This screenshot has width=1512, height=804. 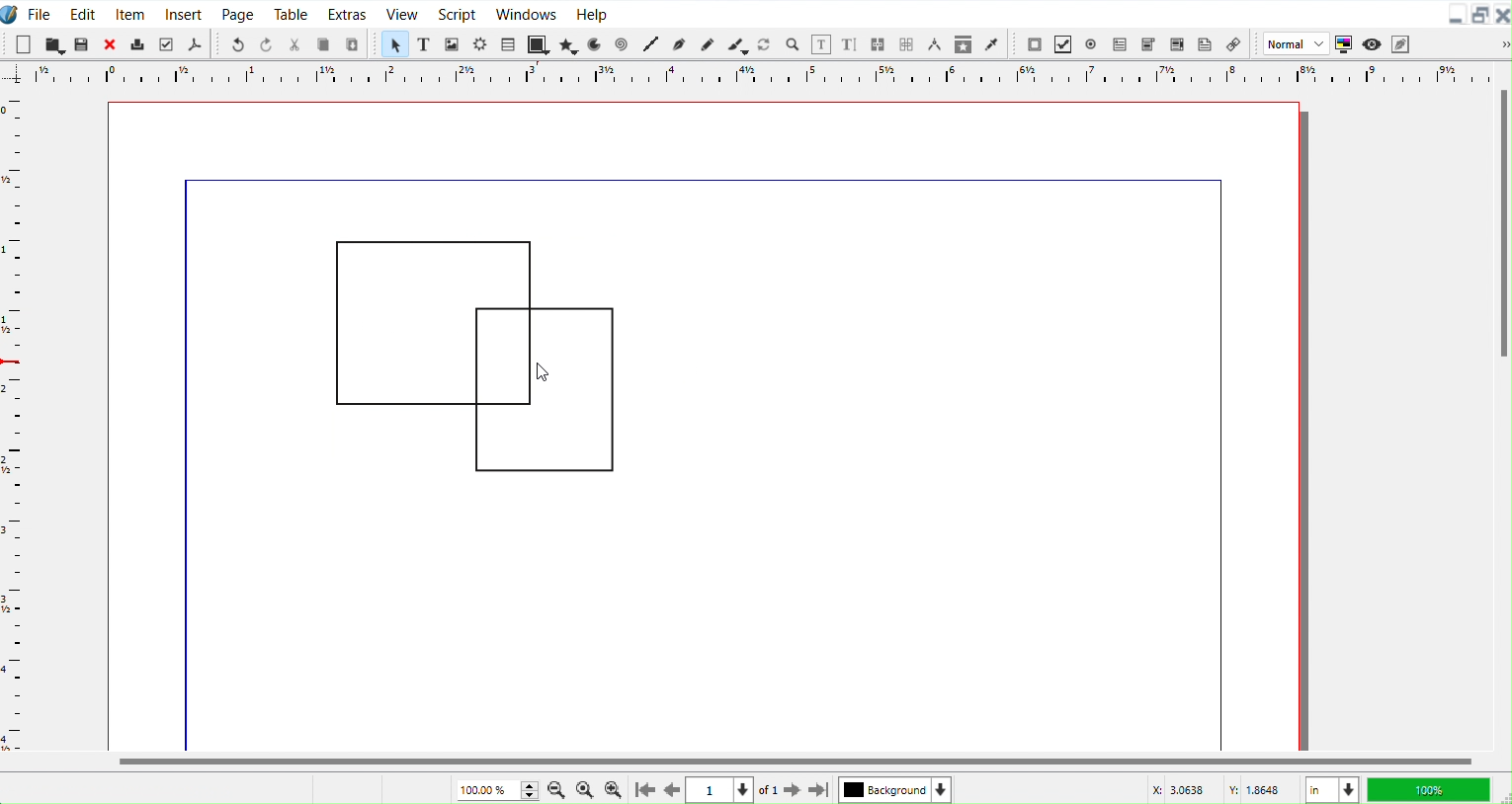 I want to click on line, so click(x=191, y=470).